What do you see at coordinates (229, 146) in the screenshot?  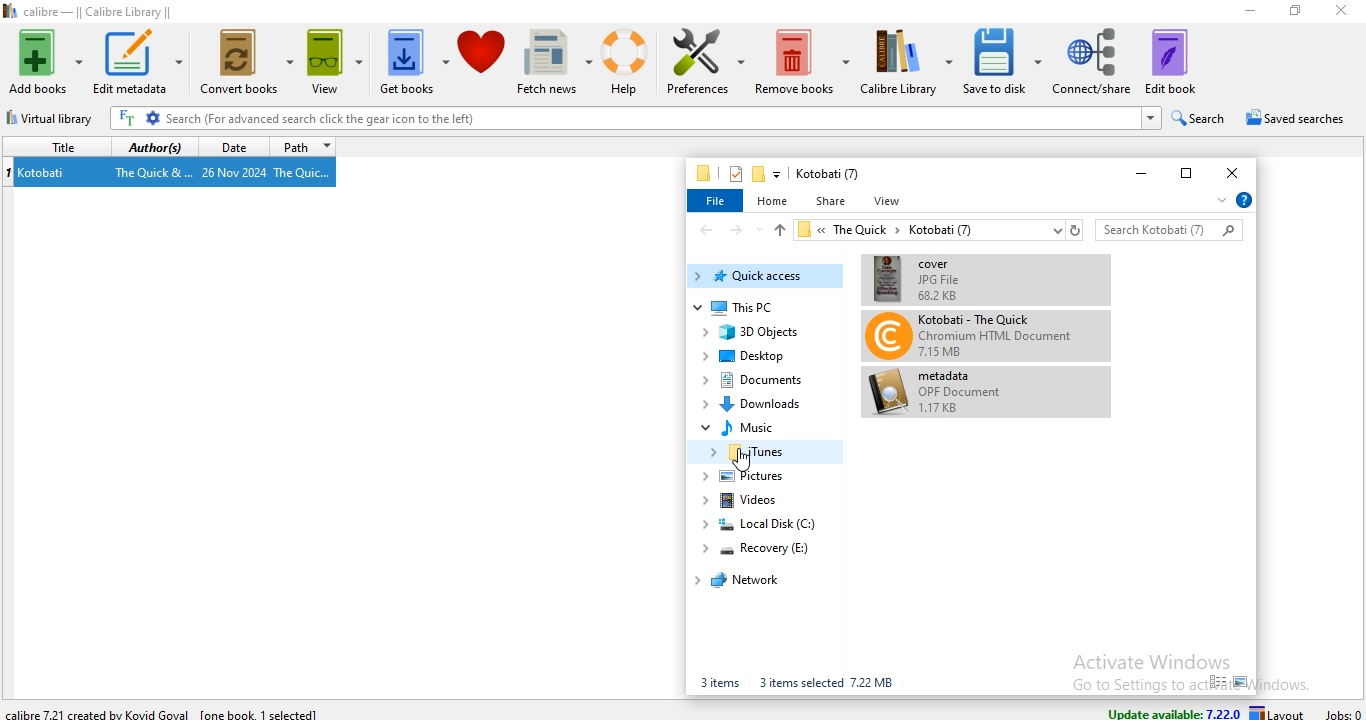 I see `date` at bounding box center [229, 146].